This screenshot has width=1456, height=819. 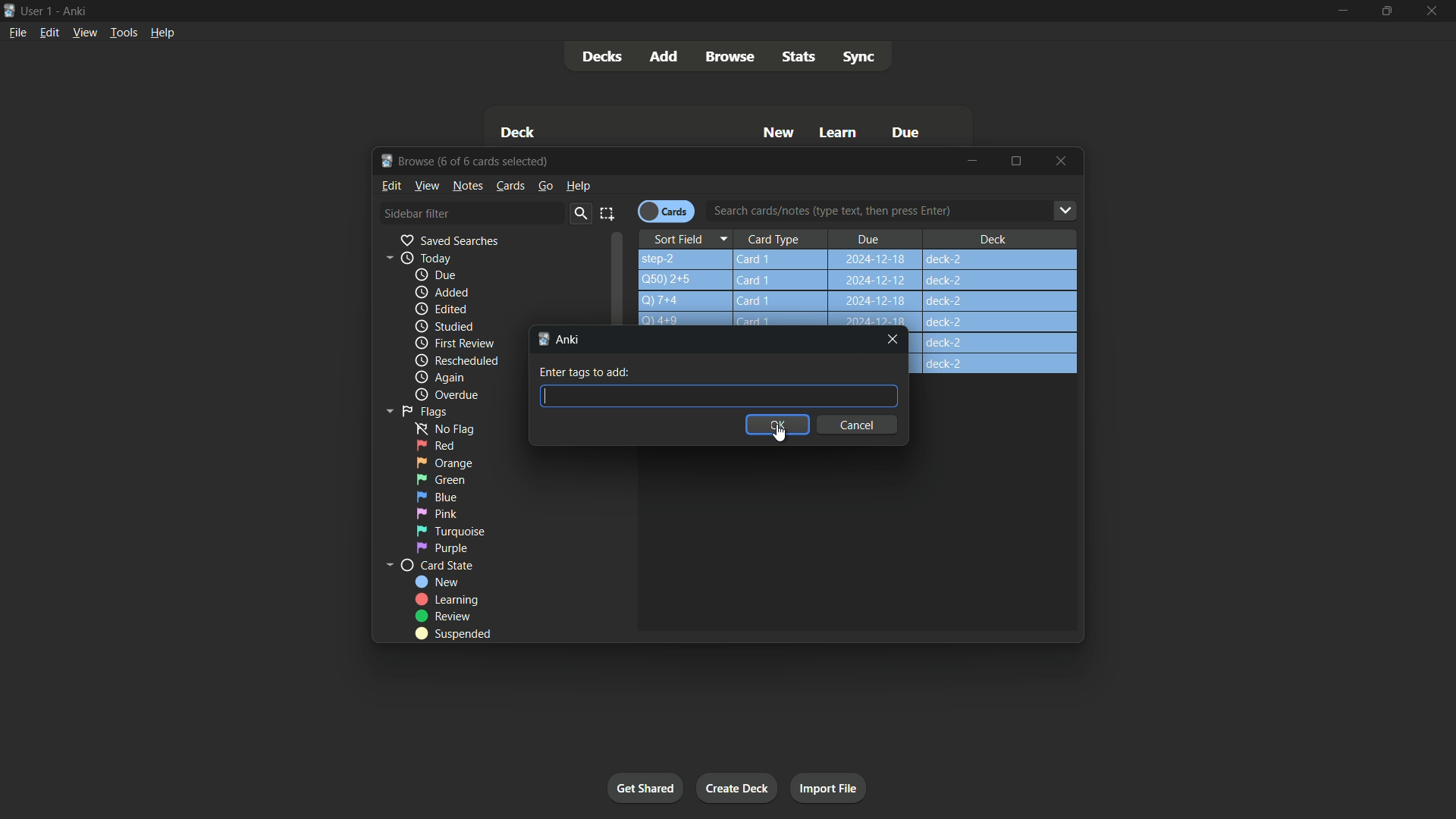 I want to click on Learn, so click(x=839, y=134).